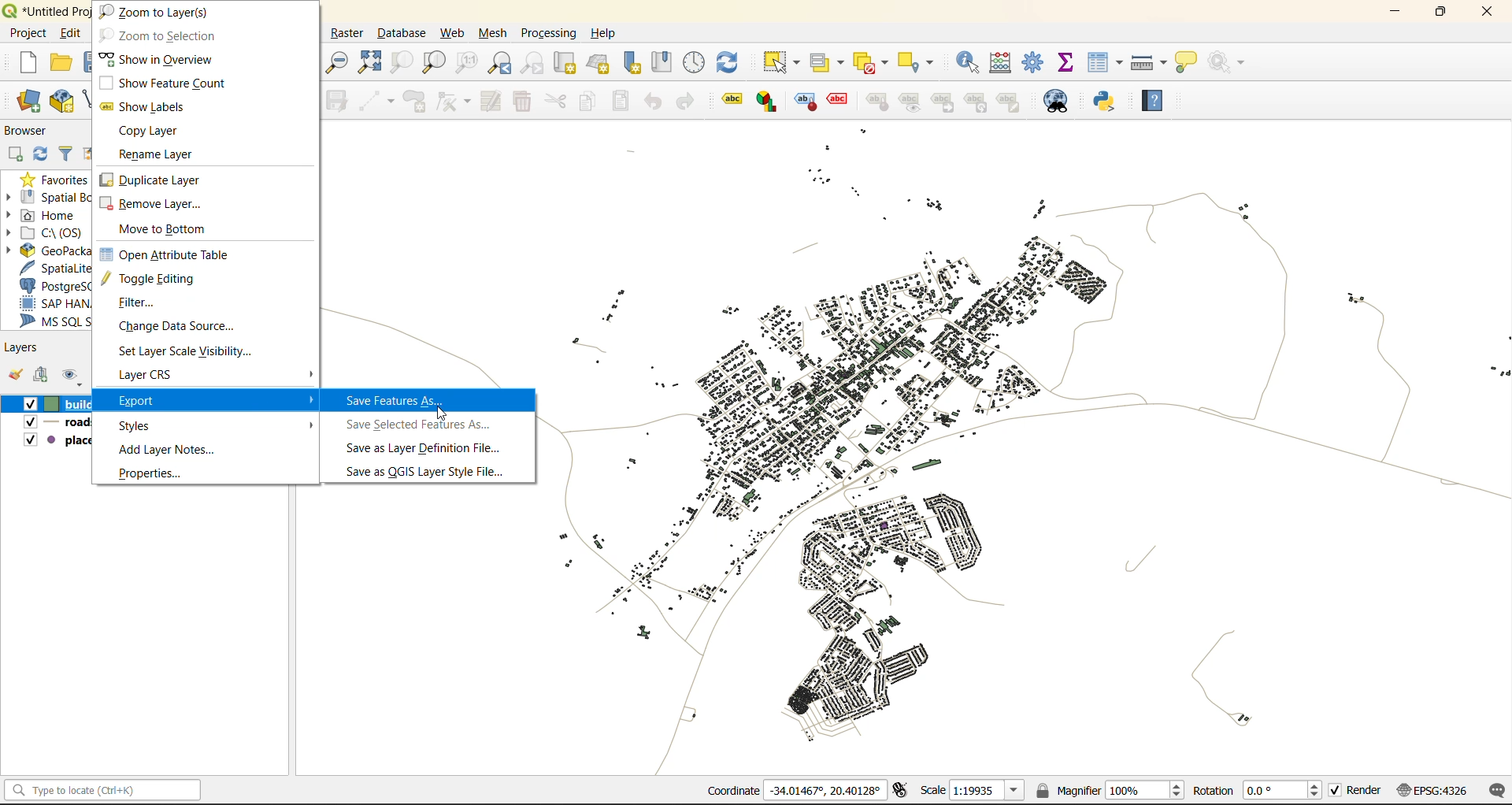 The image size is (1512, 805). What do you see at coordinates (157, 57) in the screenshot?
I see `show in overview` at bounding box center [157, 57].